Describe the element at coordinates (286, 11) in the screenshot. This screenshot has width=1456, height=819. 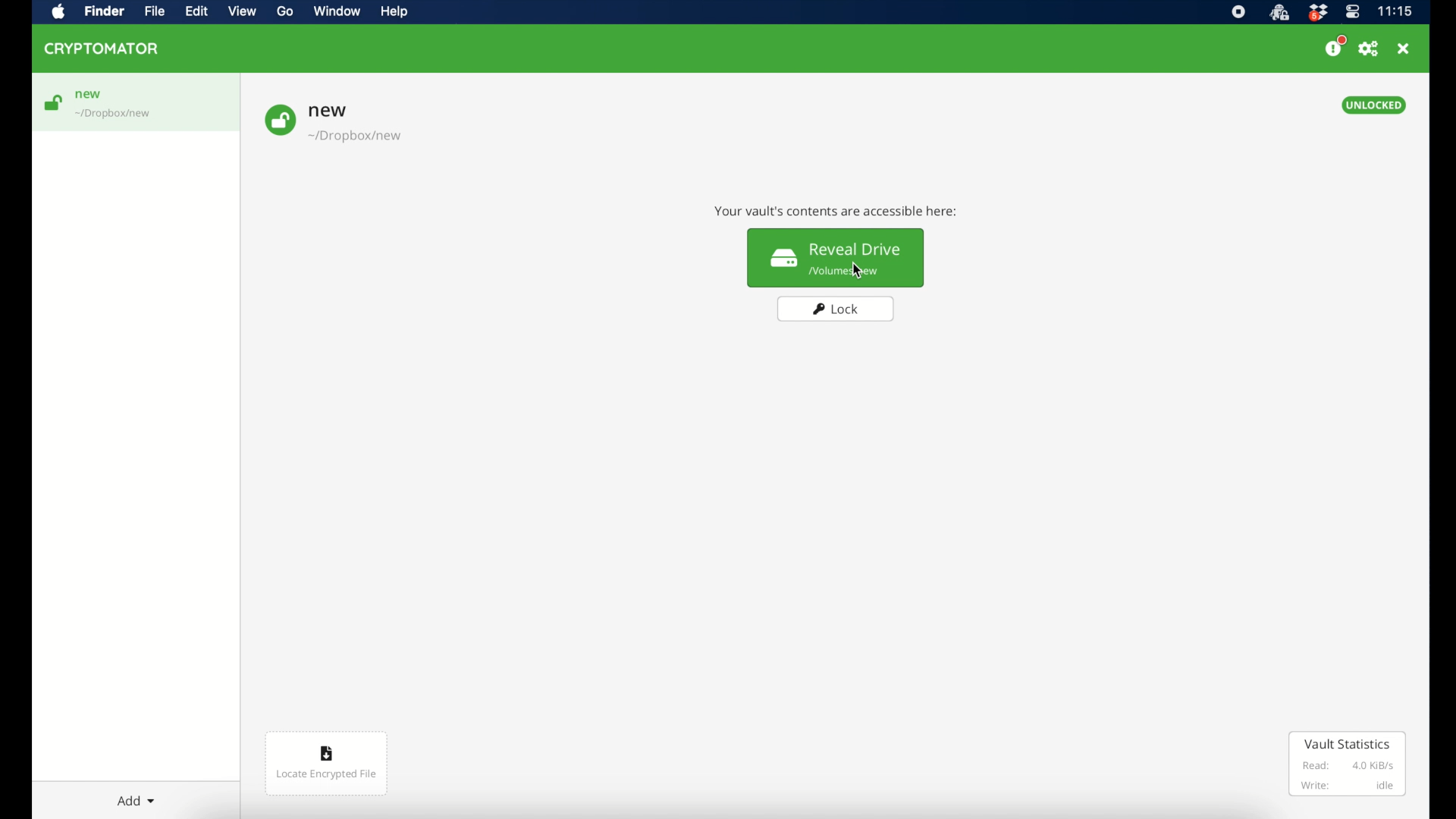
I see `go` at that location.